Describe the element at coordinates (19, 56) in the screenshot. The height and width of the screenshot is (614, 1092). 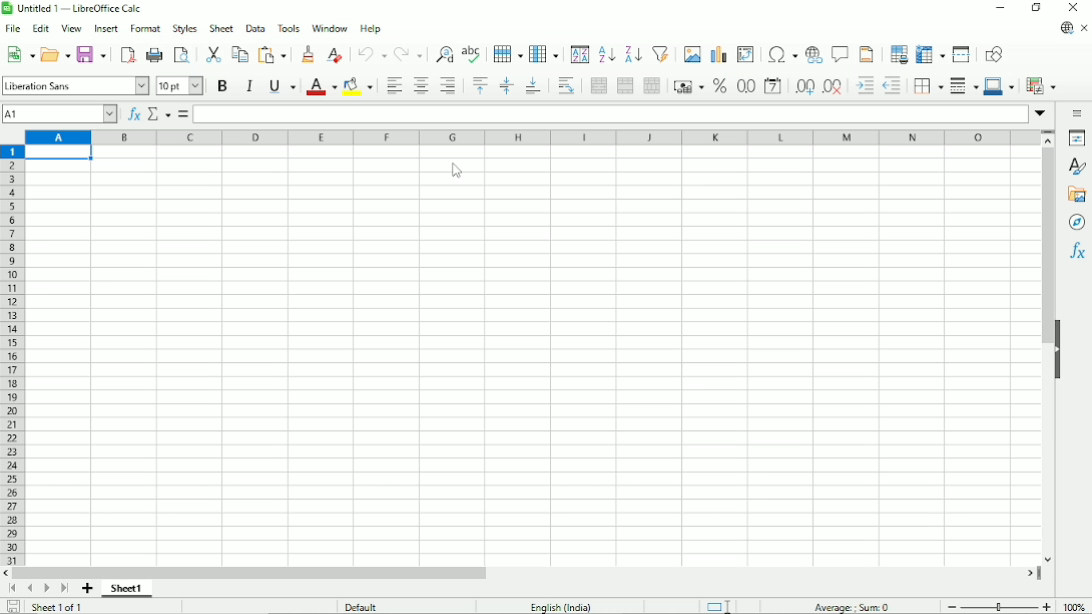
I see `New` at that location.